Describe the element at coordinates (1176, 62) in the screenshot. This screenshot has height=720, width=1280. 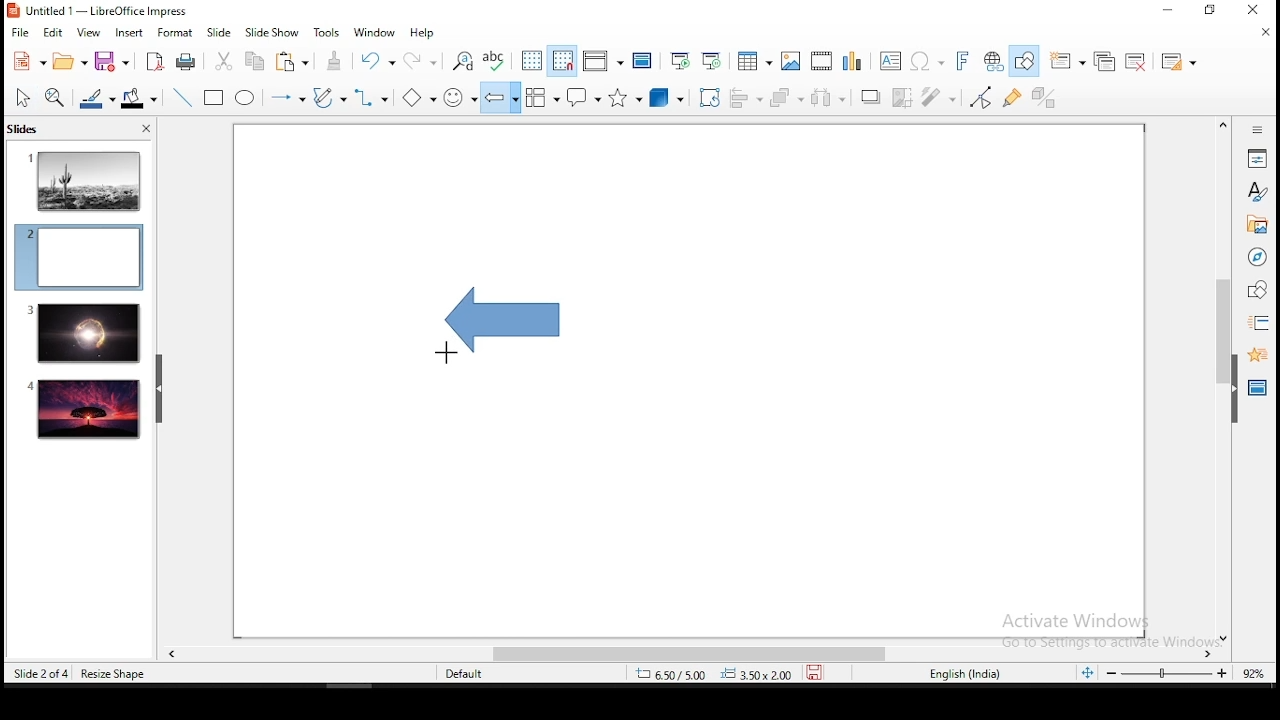
I see `slide layout` at that location.